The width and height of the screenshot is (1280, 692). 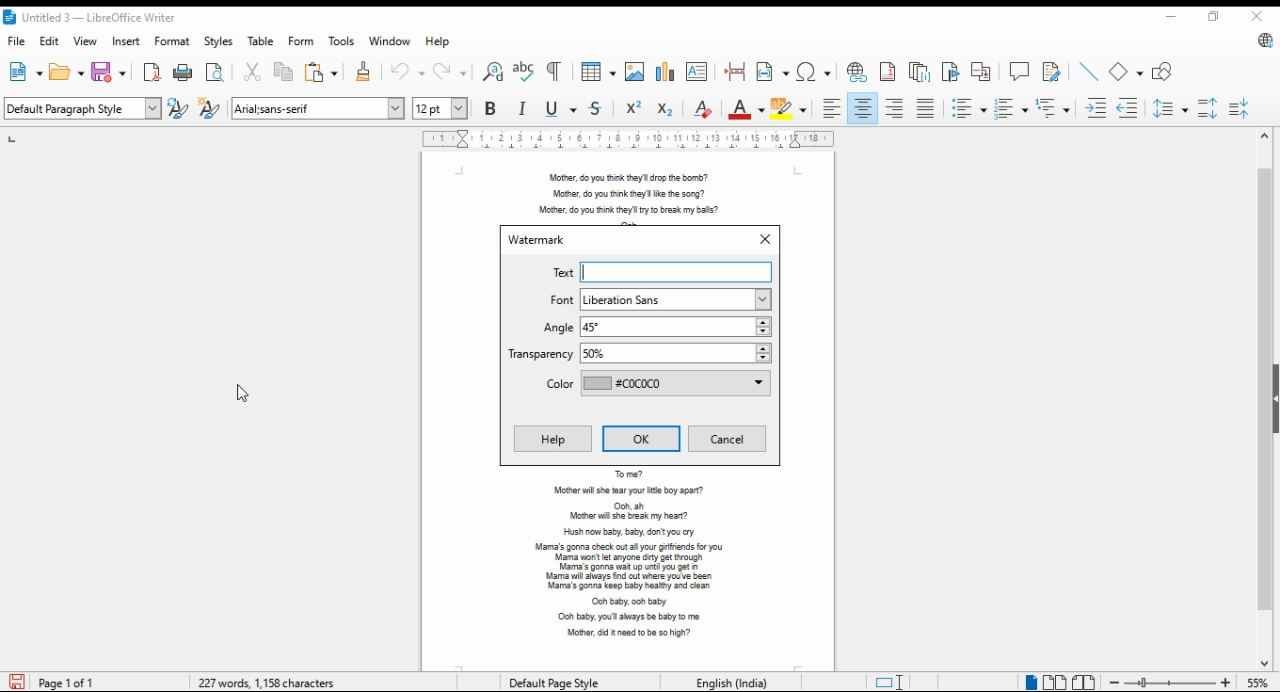 I want to click on tools, so click(x=344, y=41).